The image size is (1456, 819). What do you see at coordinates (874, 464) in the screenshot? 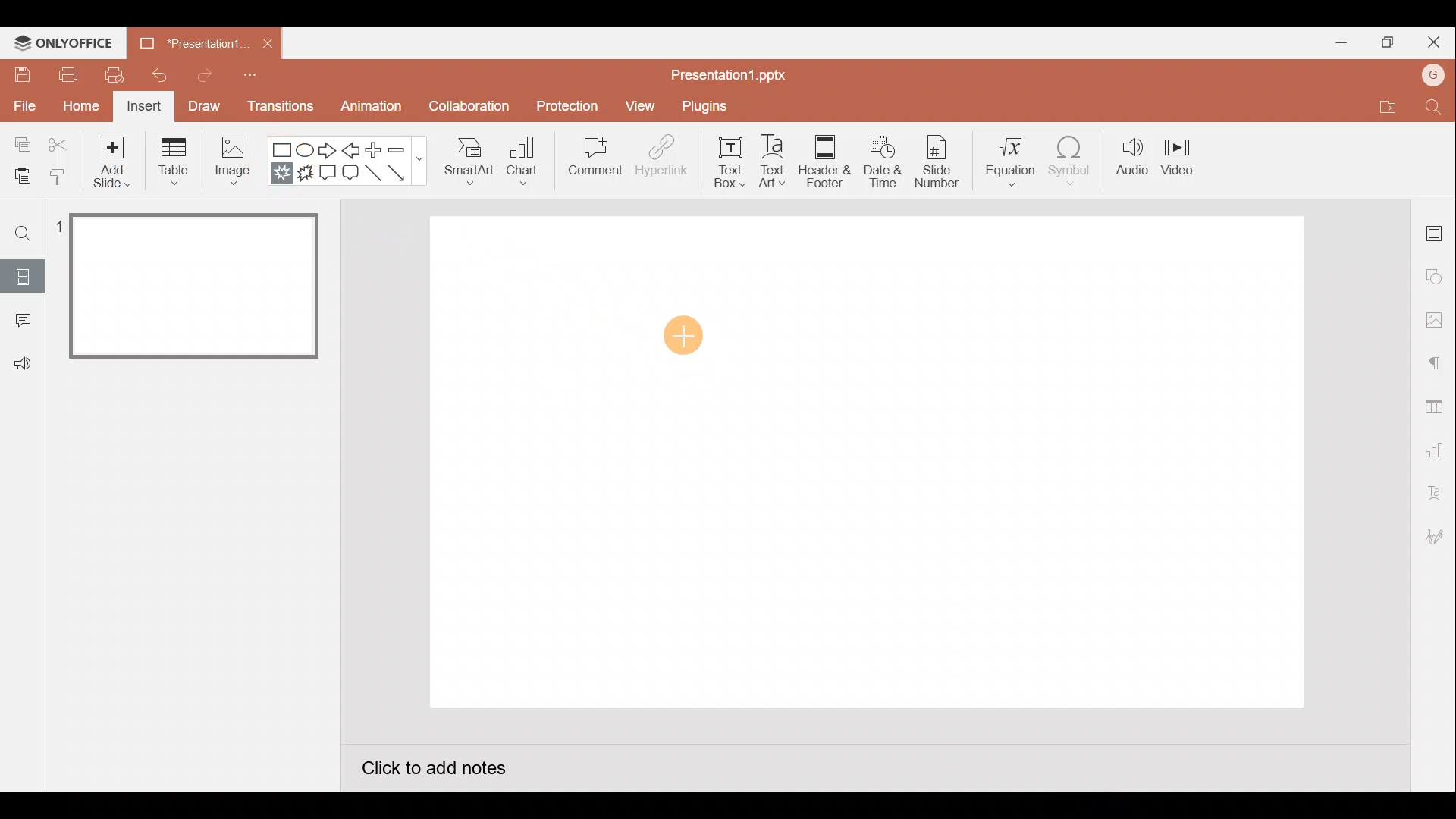
I see `Presentation slide` at bounding box center [874, 464].